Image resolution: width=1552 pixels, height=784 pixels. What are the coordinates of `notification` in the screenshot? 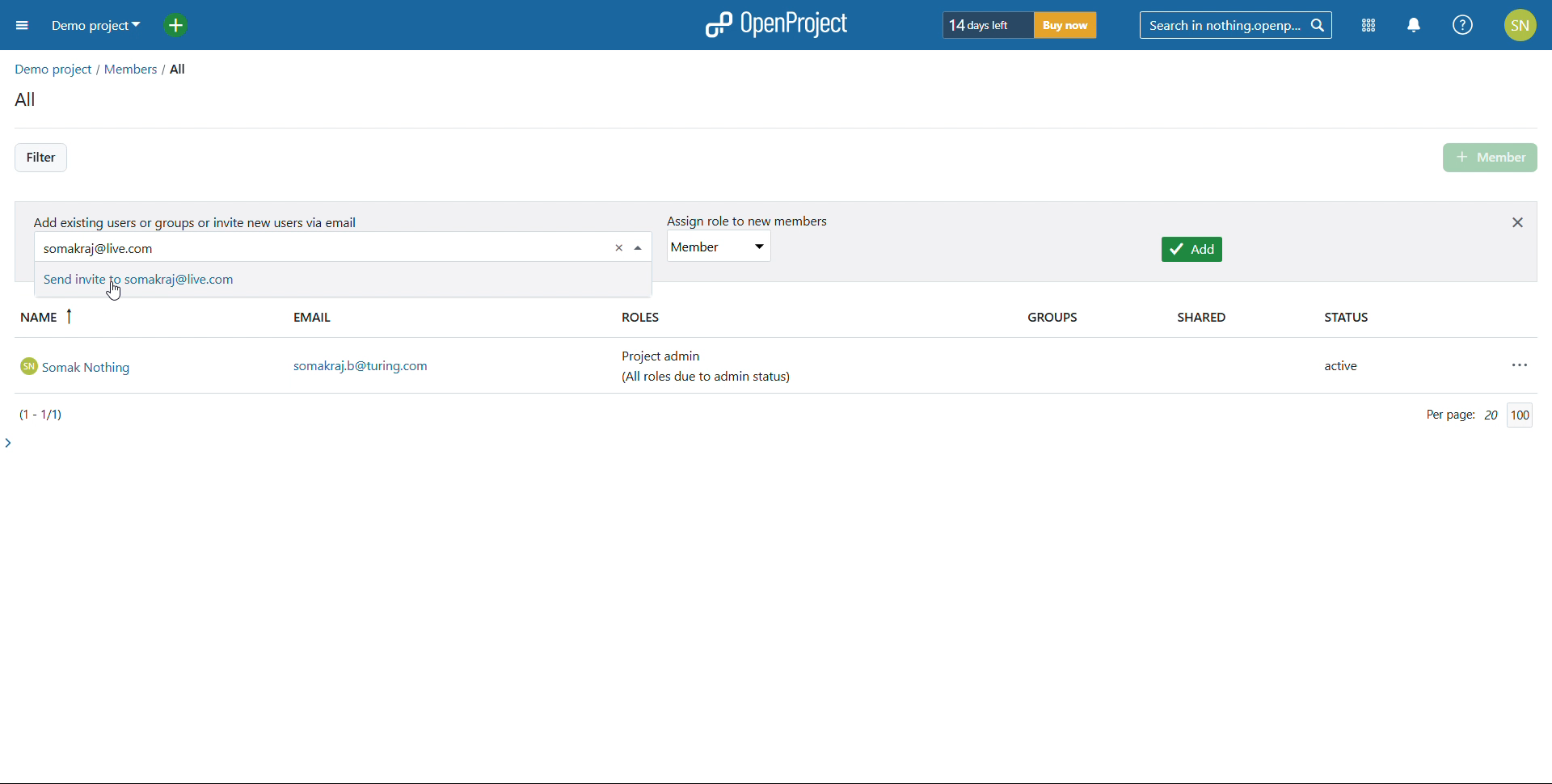 It's located at (1416, 25).